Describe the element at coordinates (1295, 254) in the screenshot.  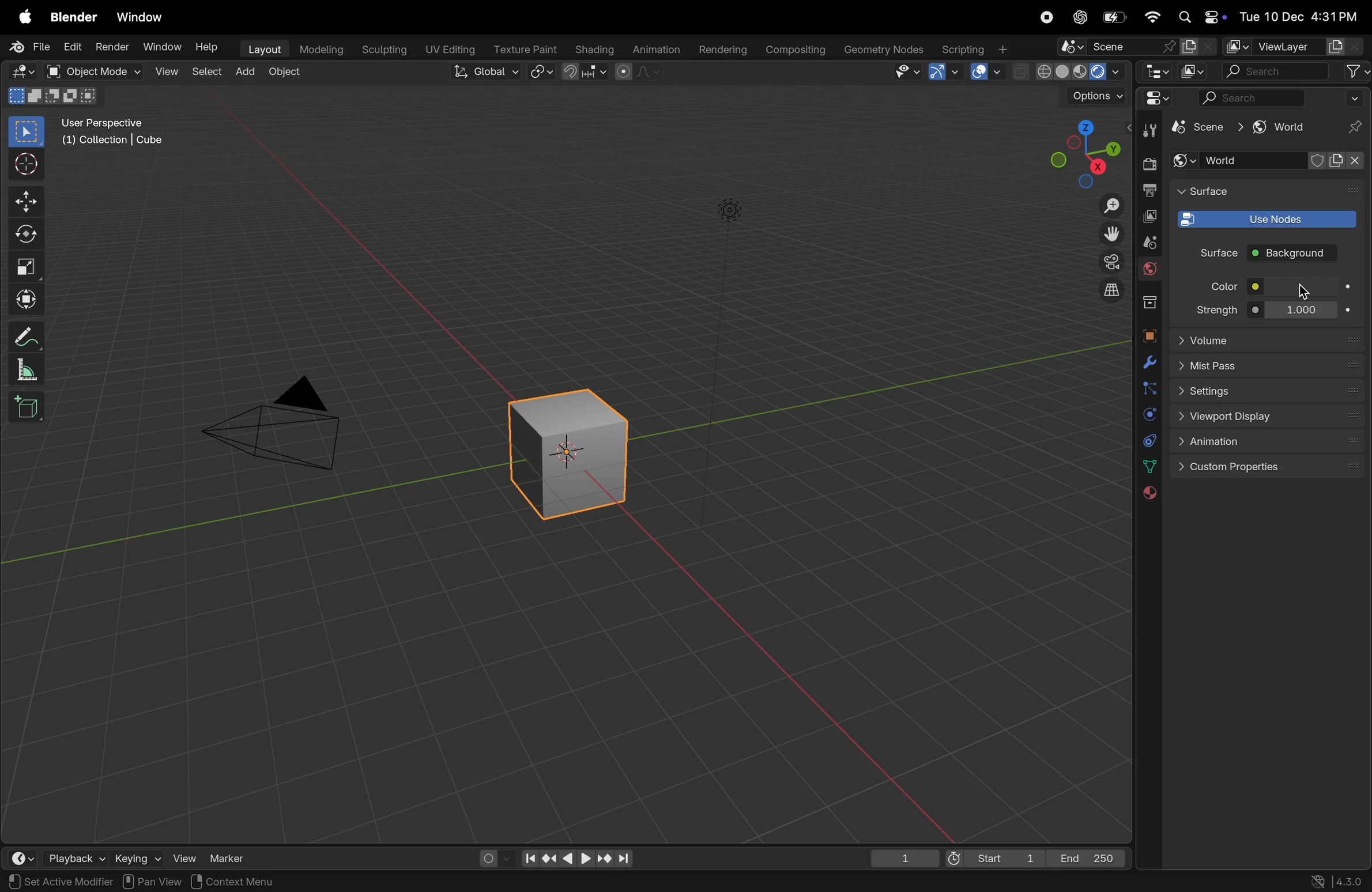
I see `background` at that location.